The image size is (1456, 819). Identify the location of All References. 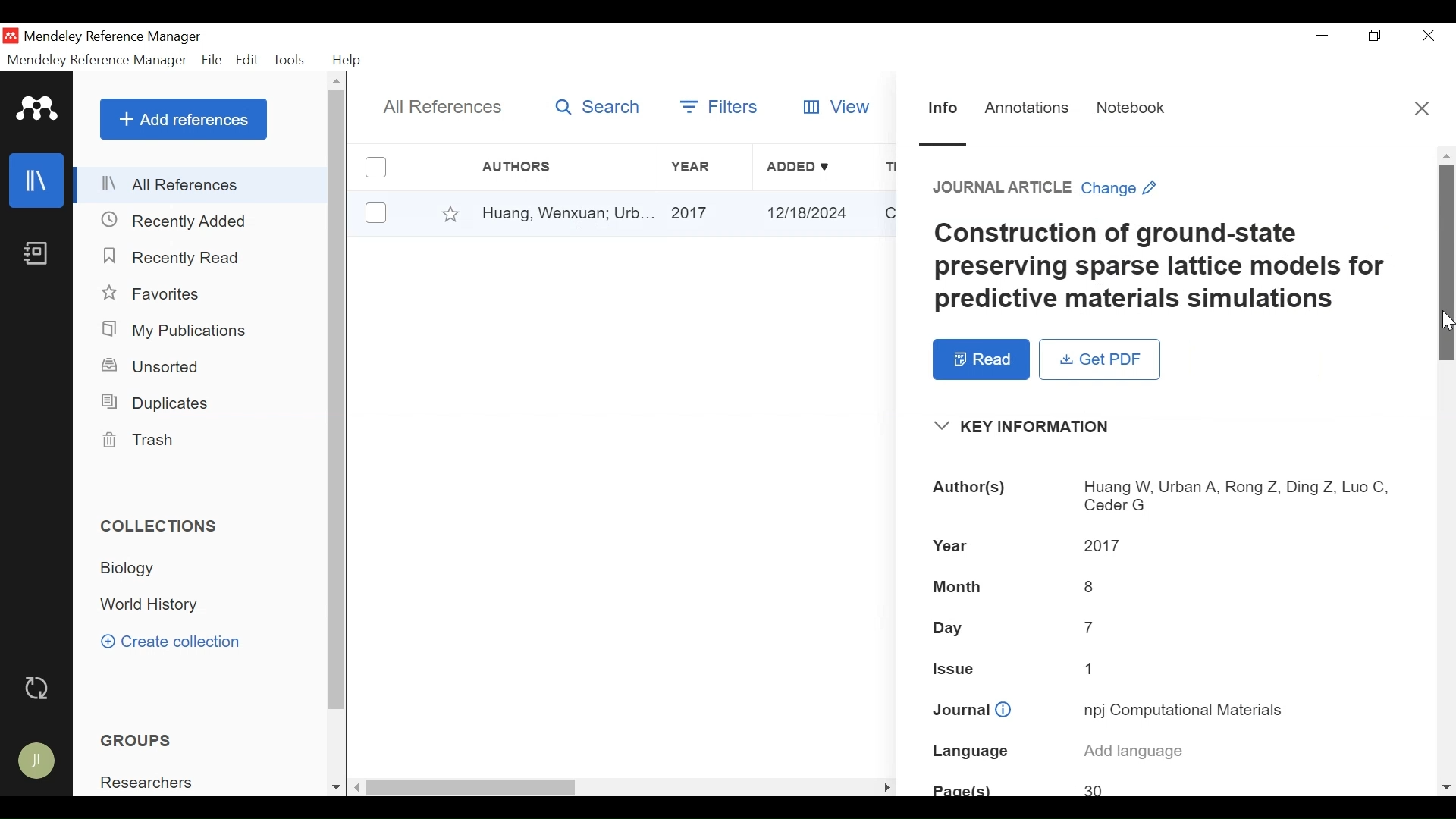
(444, 108).